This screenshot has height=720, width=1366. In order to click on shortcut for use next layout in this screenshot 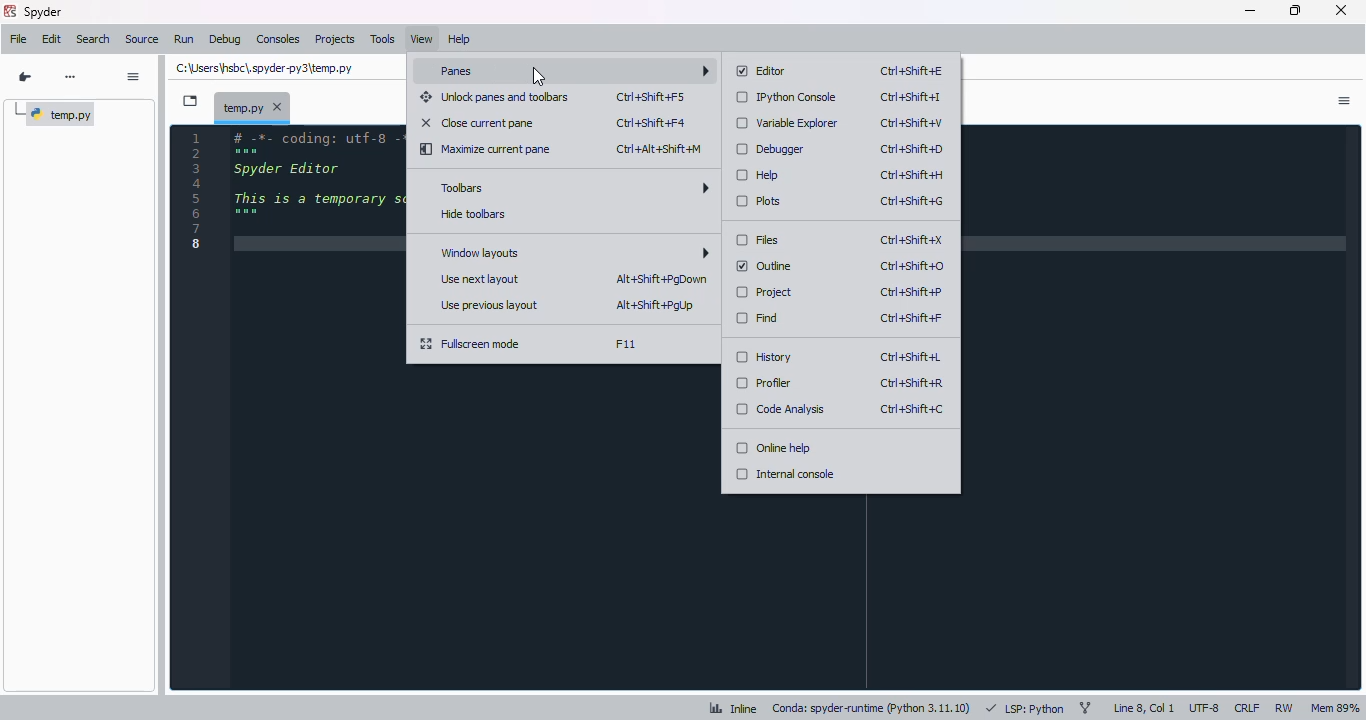, I will do `click(660, 279)`.